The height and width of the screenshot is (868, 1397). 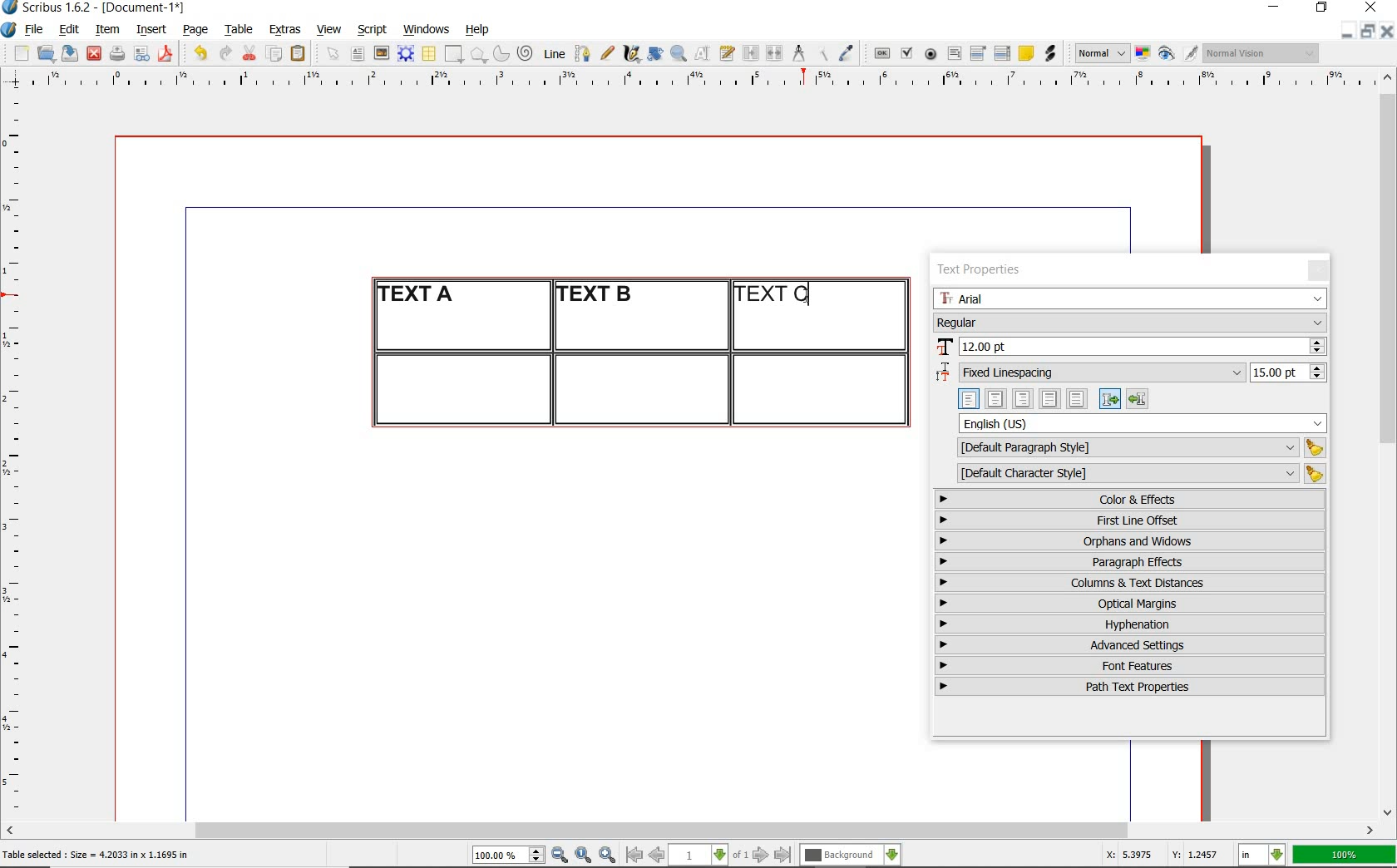 What do you see at coordinates (18, 454) in the screenshot?
I see `ruler` at bounding box center [18, 454].